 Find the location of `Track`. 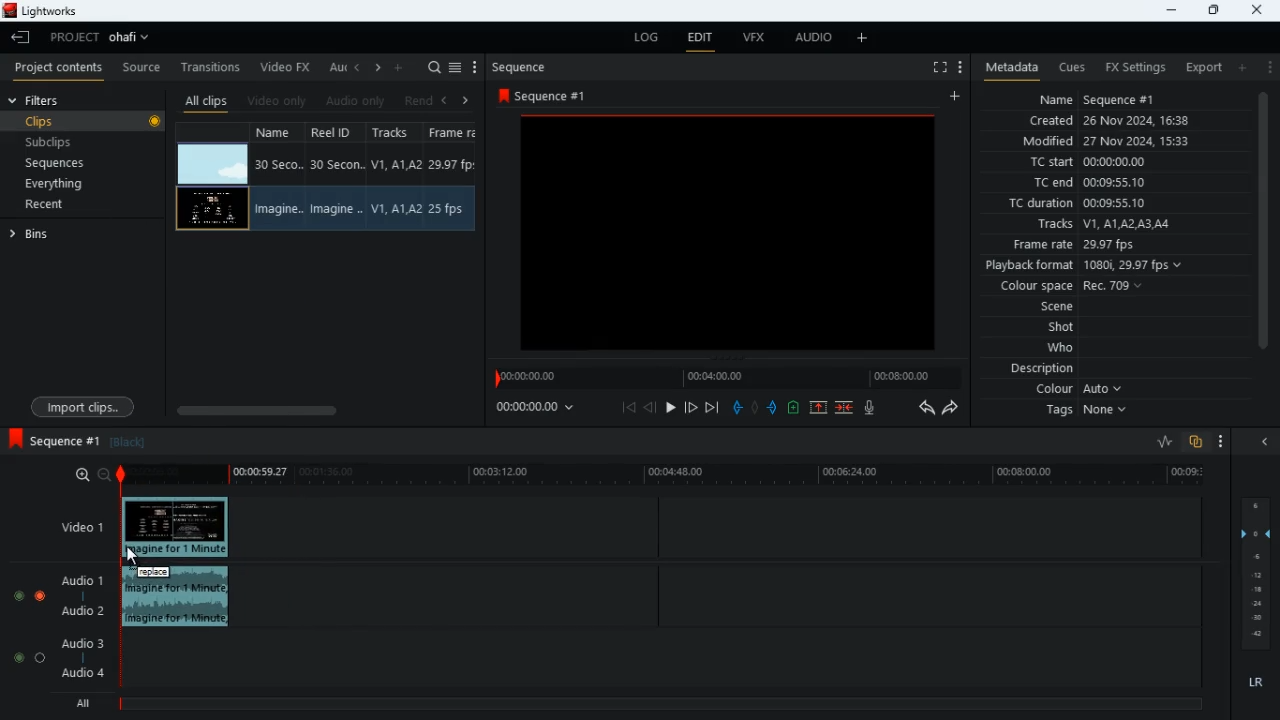

Track is located at coordinates (398, 164).